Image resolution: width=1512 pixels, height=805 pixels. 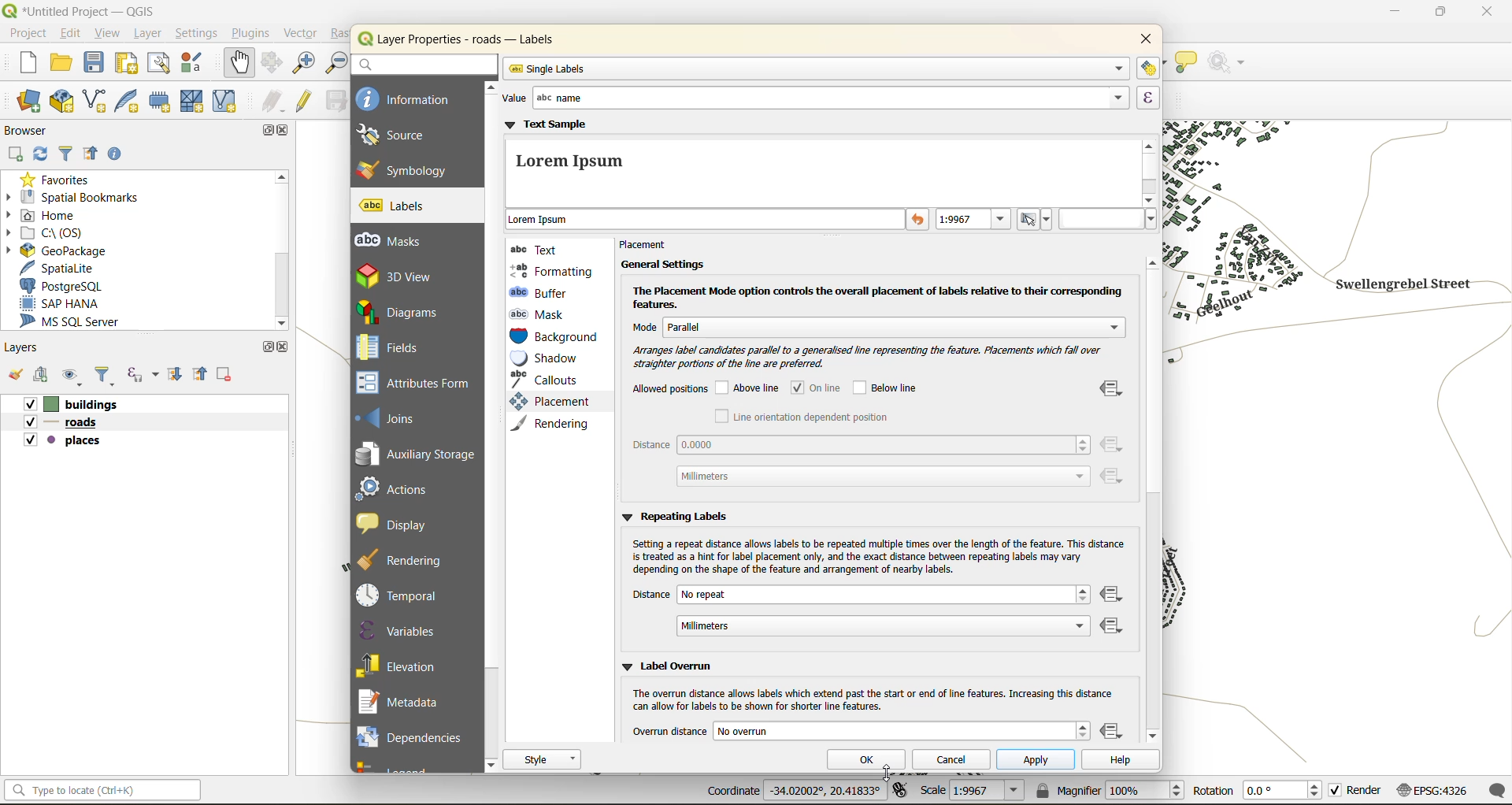 I want to click on enable properties, so click(x=117, y=154).